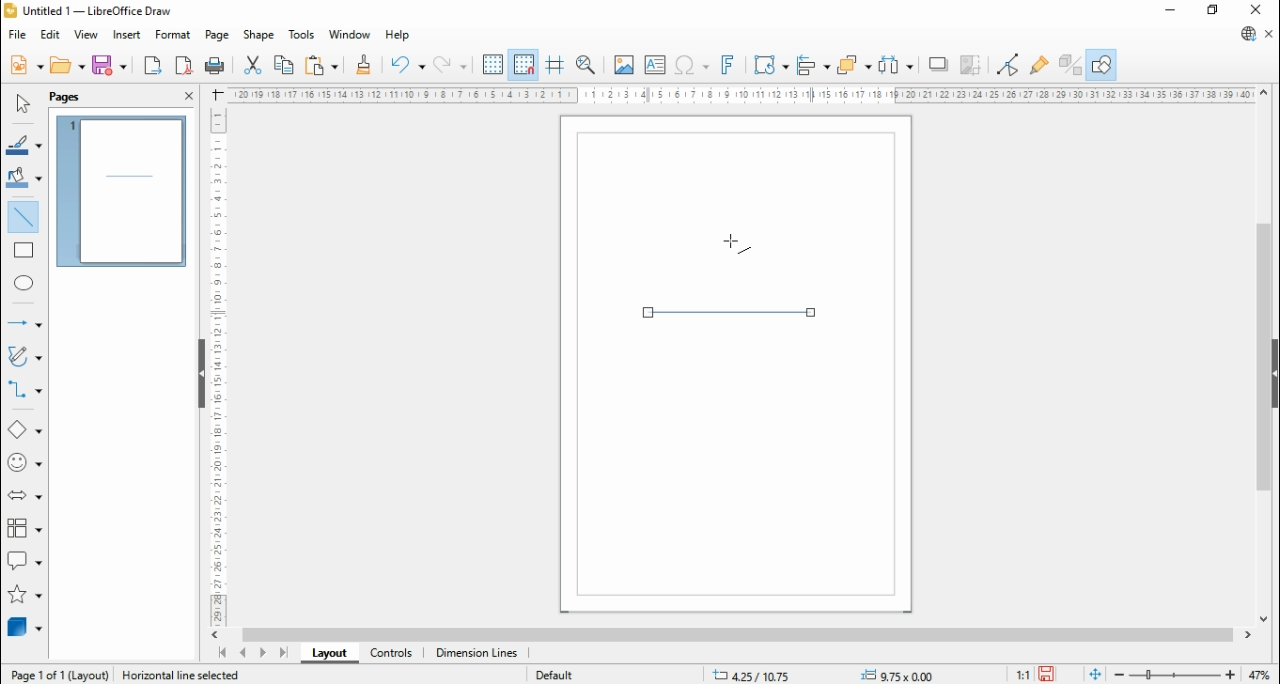 The image size is (1280, 684). I want to click on libreoffice update, so click(1247, 34).